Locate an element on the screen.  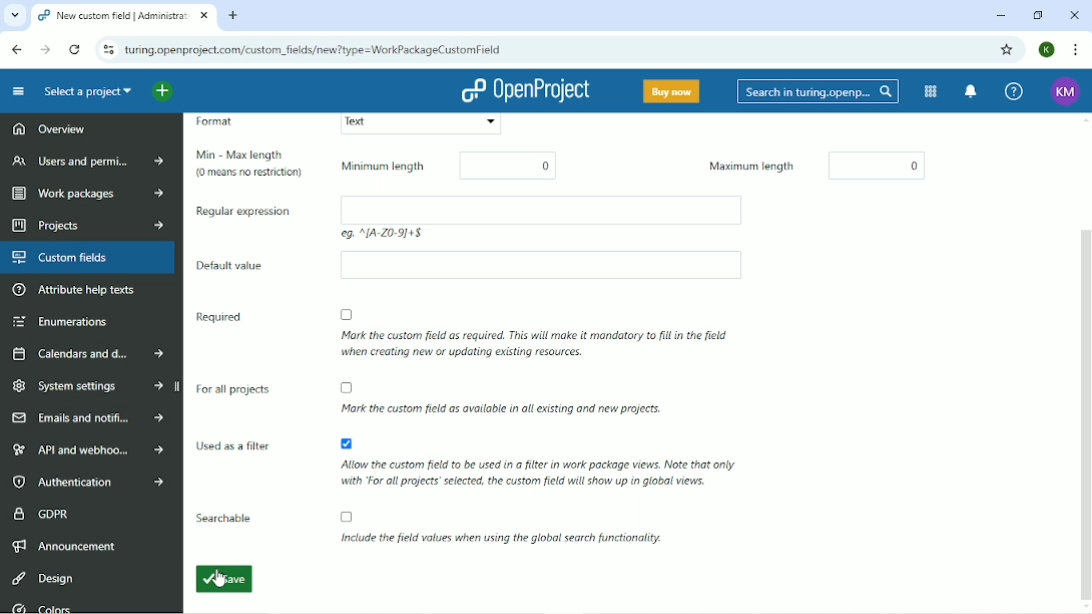
0 is located at coordinates (502, 164).